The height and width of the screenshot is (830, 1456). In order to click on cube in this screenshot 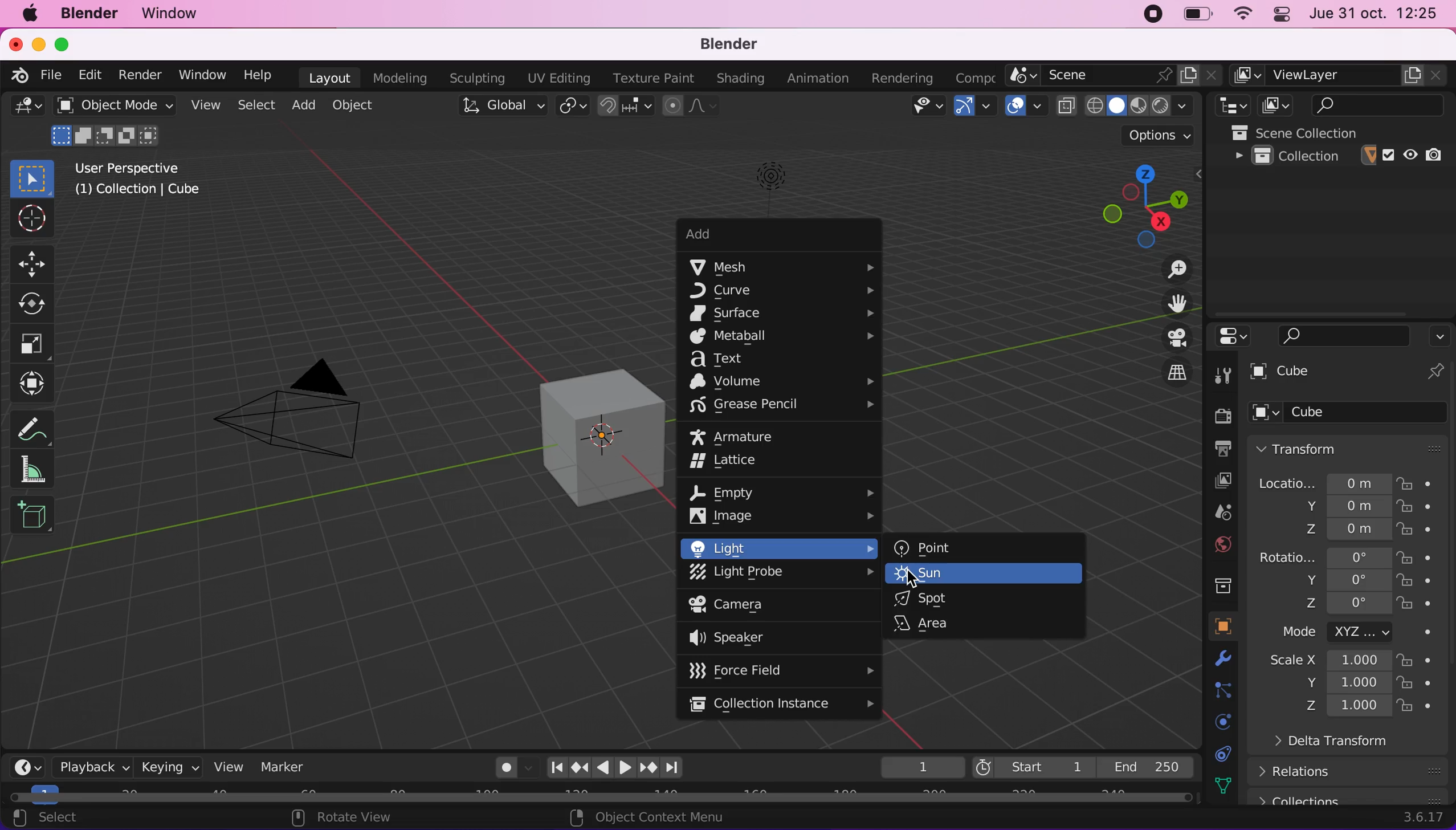, I will do `click(574, 424)`.